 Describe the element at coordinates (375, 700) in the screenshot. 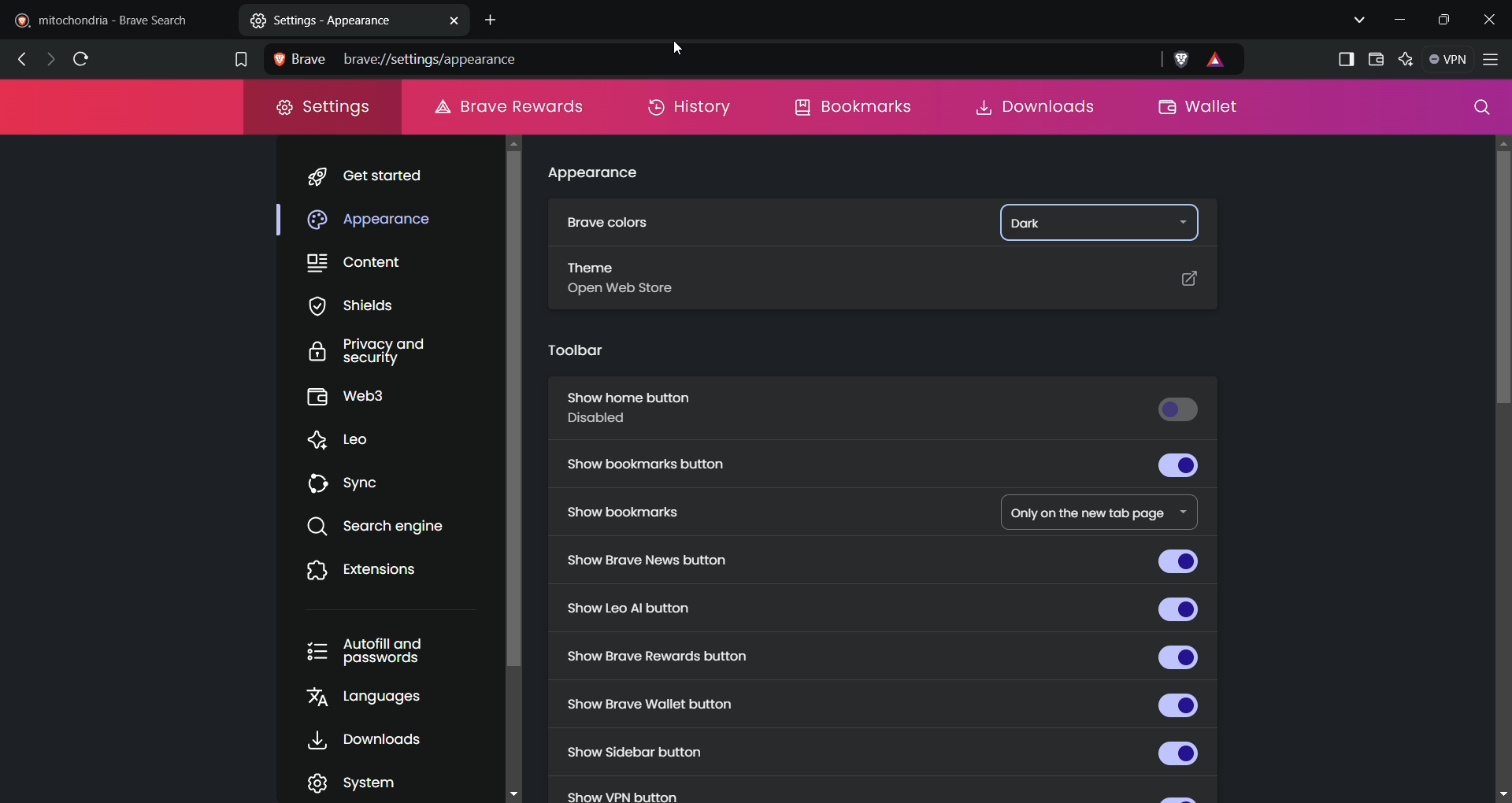

I see `languages` at that location.